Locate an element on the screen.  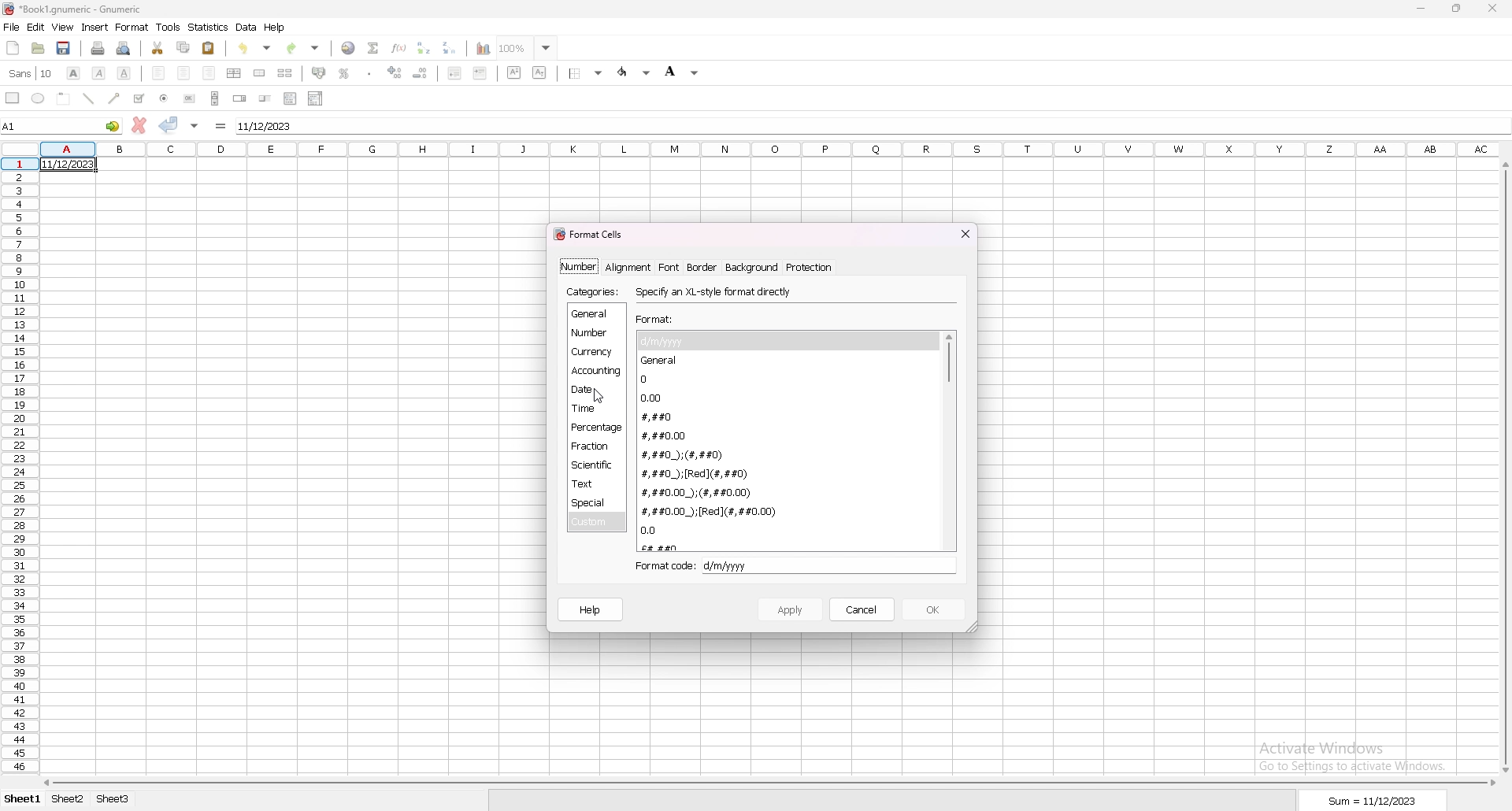
subscript is located at coordinates (539, 72).